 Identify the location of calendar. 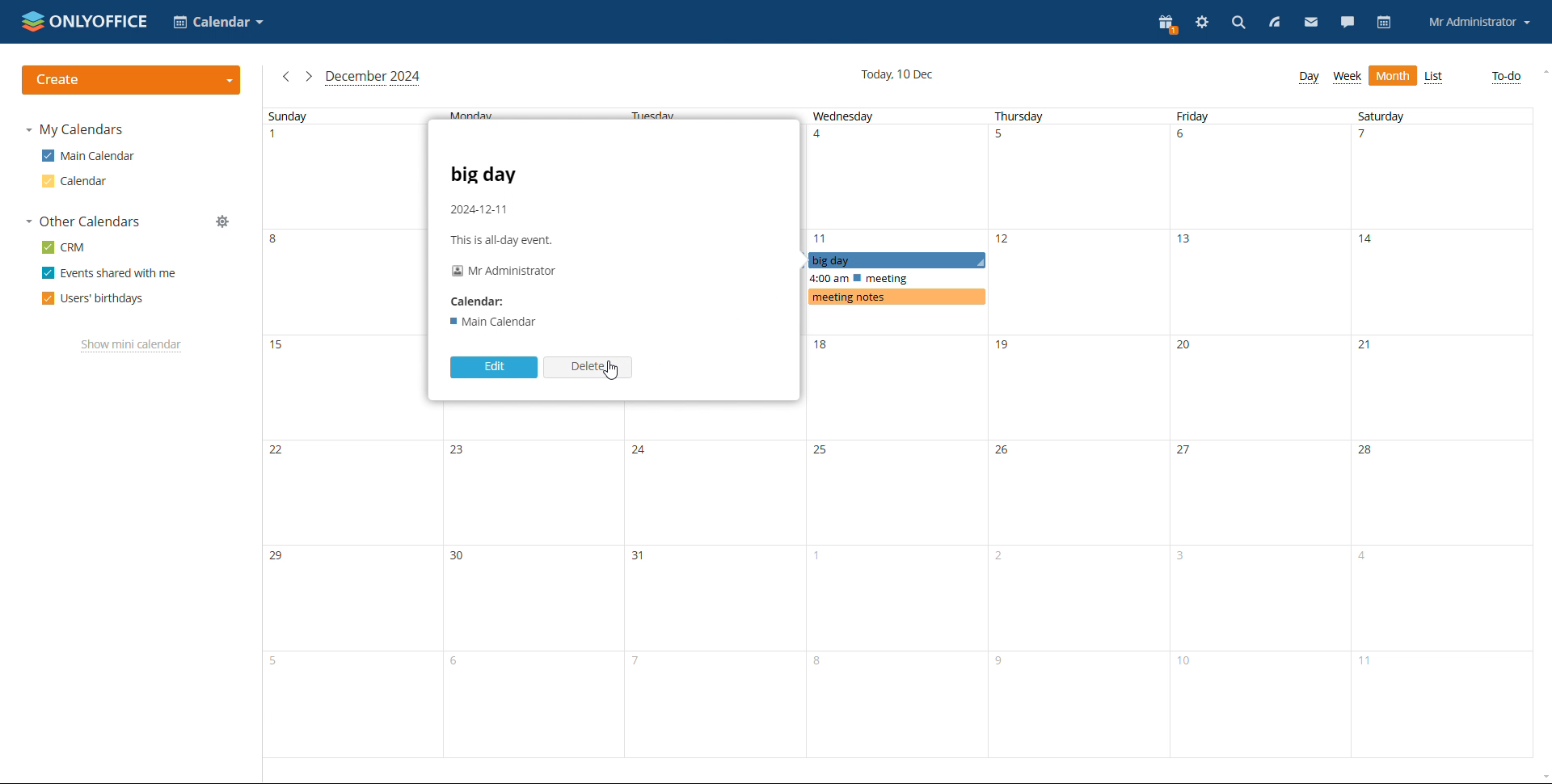
(1385, 23).